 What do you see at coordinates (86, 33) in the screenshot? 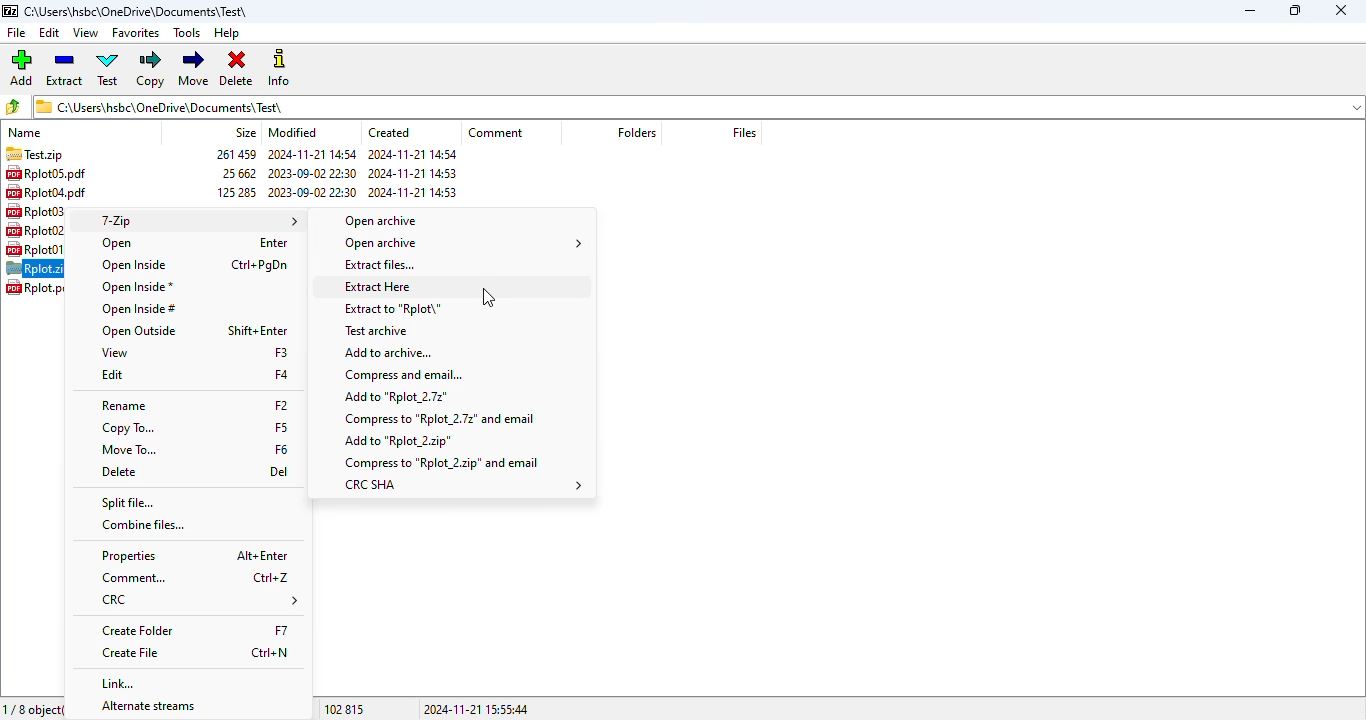
I see `view` at bounding box center [86, 33].